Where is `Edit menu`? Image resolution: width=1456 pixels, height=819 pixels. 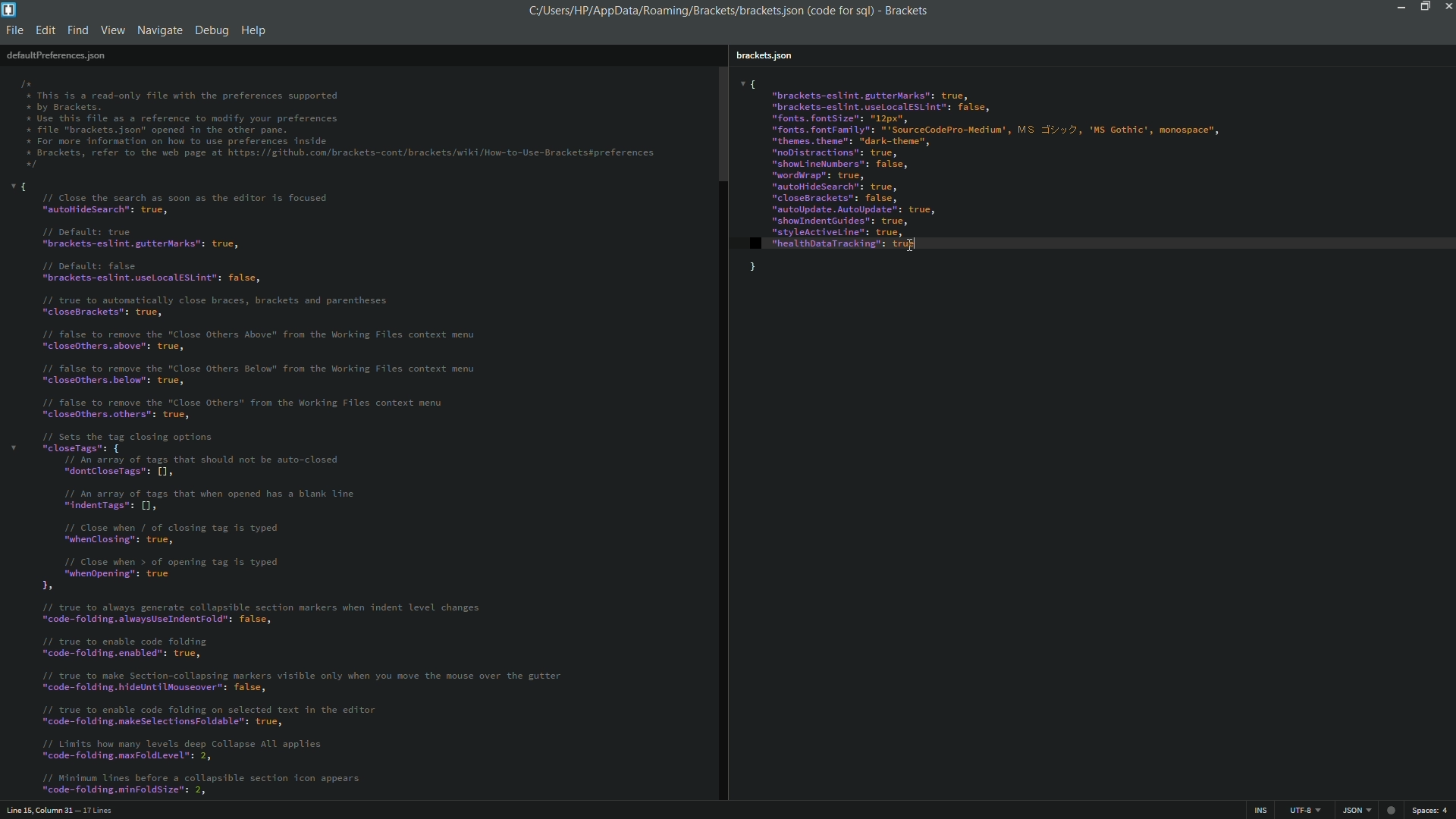
Edit menu is located at coordinates (44, 32).